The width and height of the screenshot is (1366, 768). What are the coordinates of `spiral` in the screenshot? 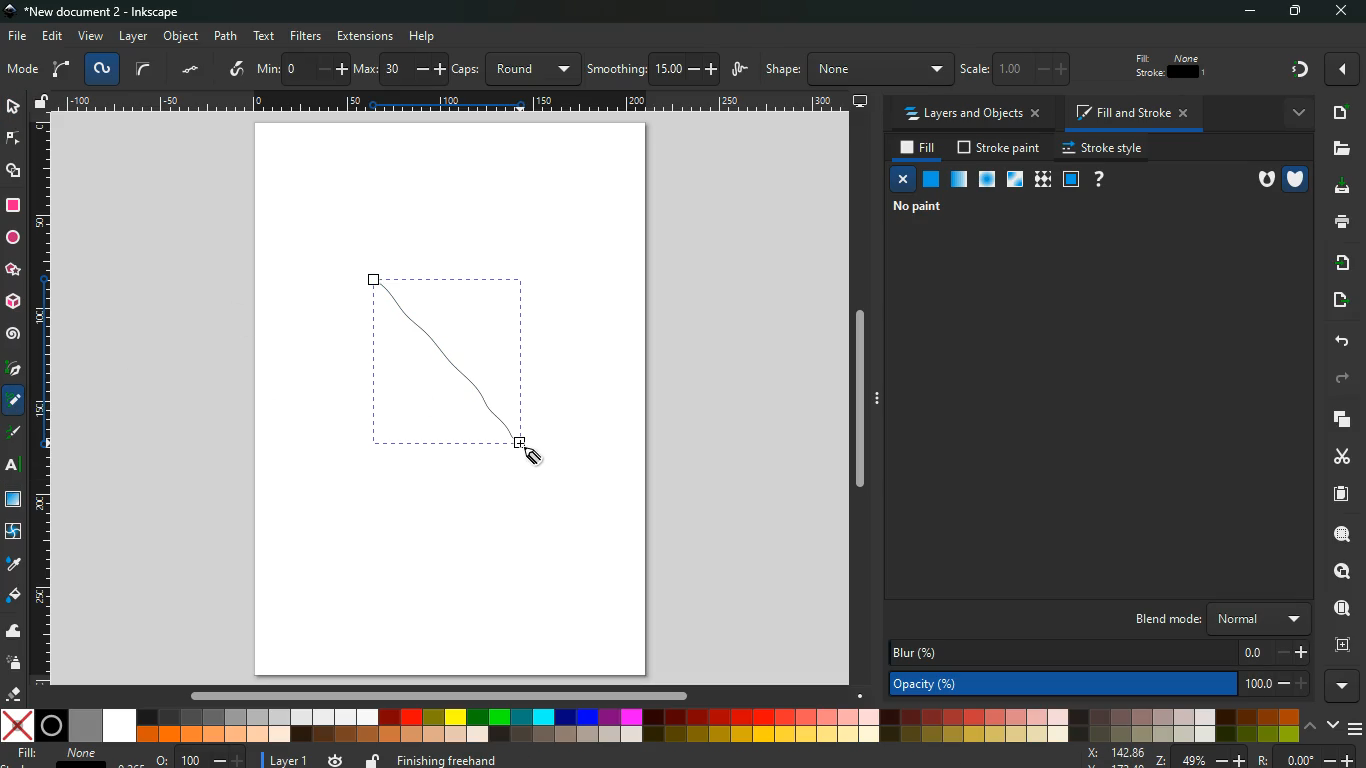 It's located at (14, 334).